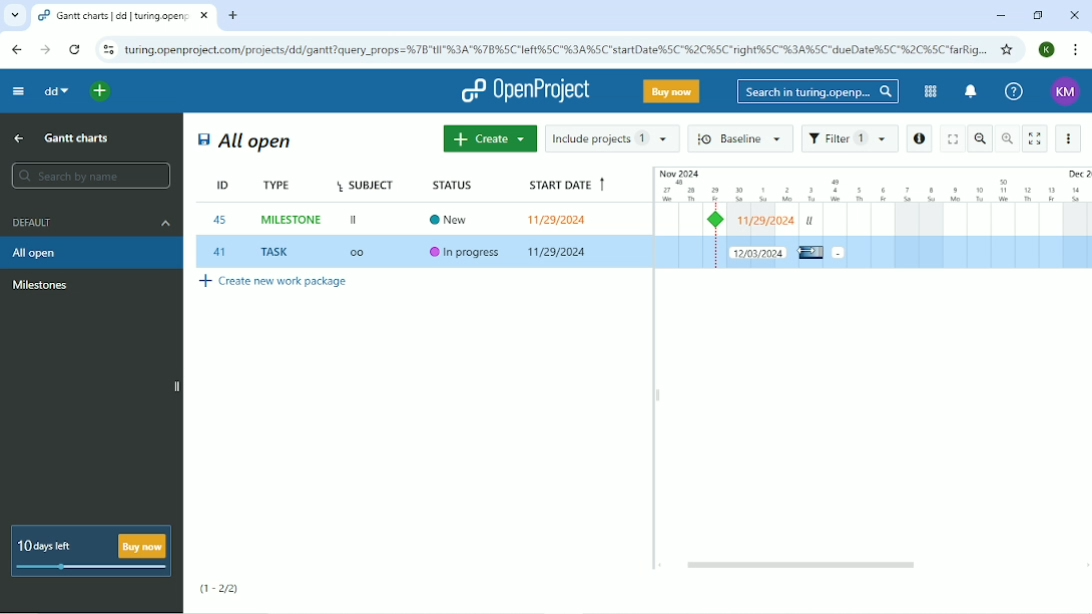 This screenshot has height=614, width=1092. What do you see at coordinates (1046, 50) in the screenshot?
I see `Account` at bounding box center [1046, 50].